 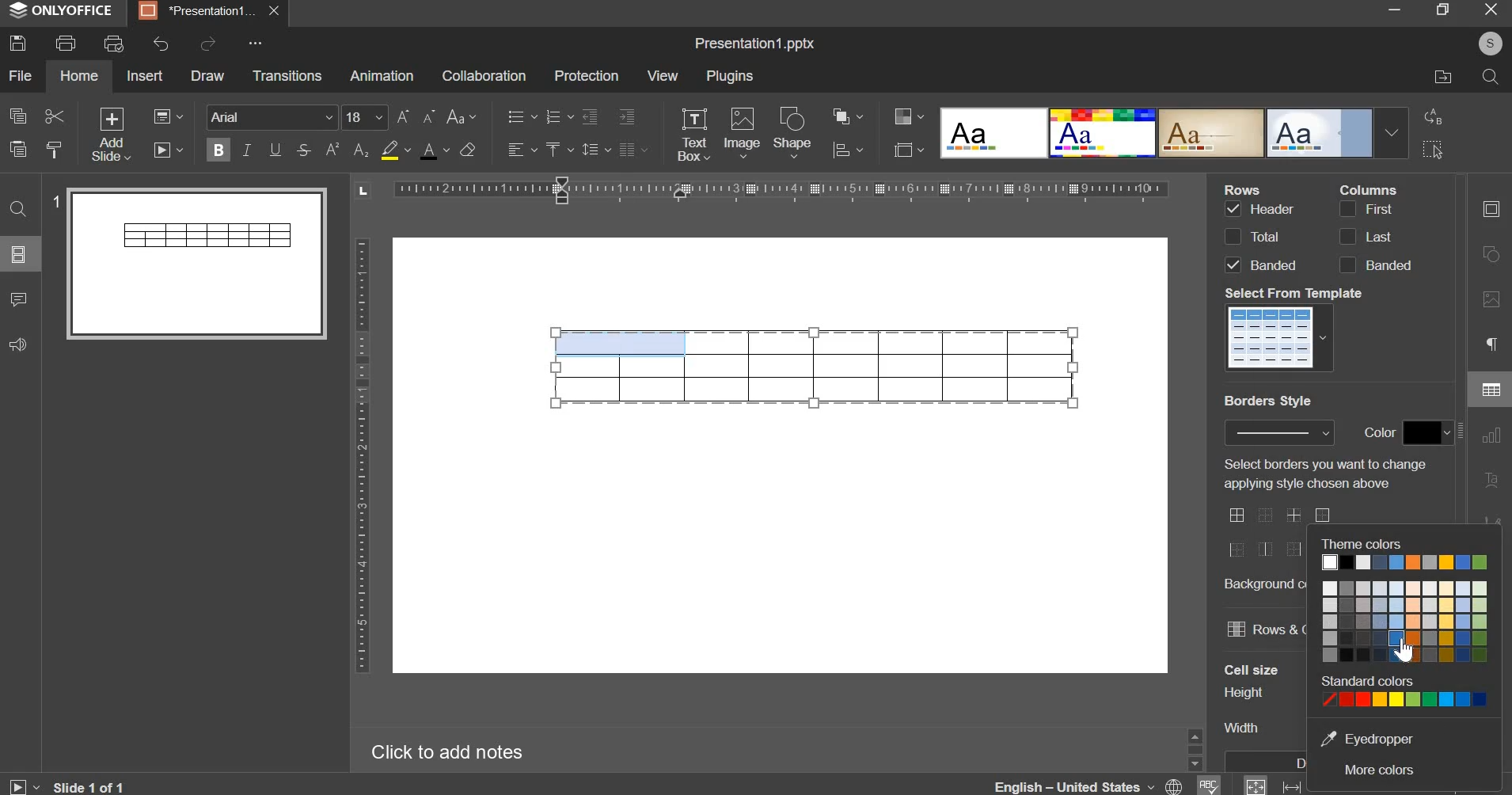 What do you see at coordinates (21, 75) in the screenshot?
I see `file` at bounding box center [21, 75].